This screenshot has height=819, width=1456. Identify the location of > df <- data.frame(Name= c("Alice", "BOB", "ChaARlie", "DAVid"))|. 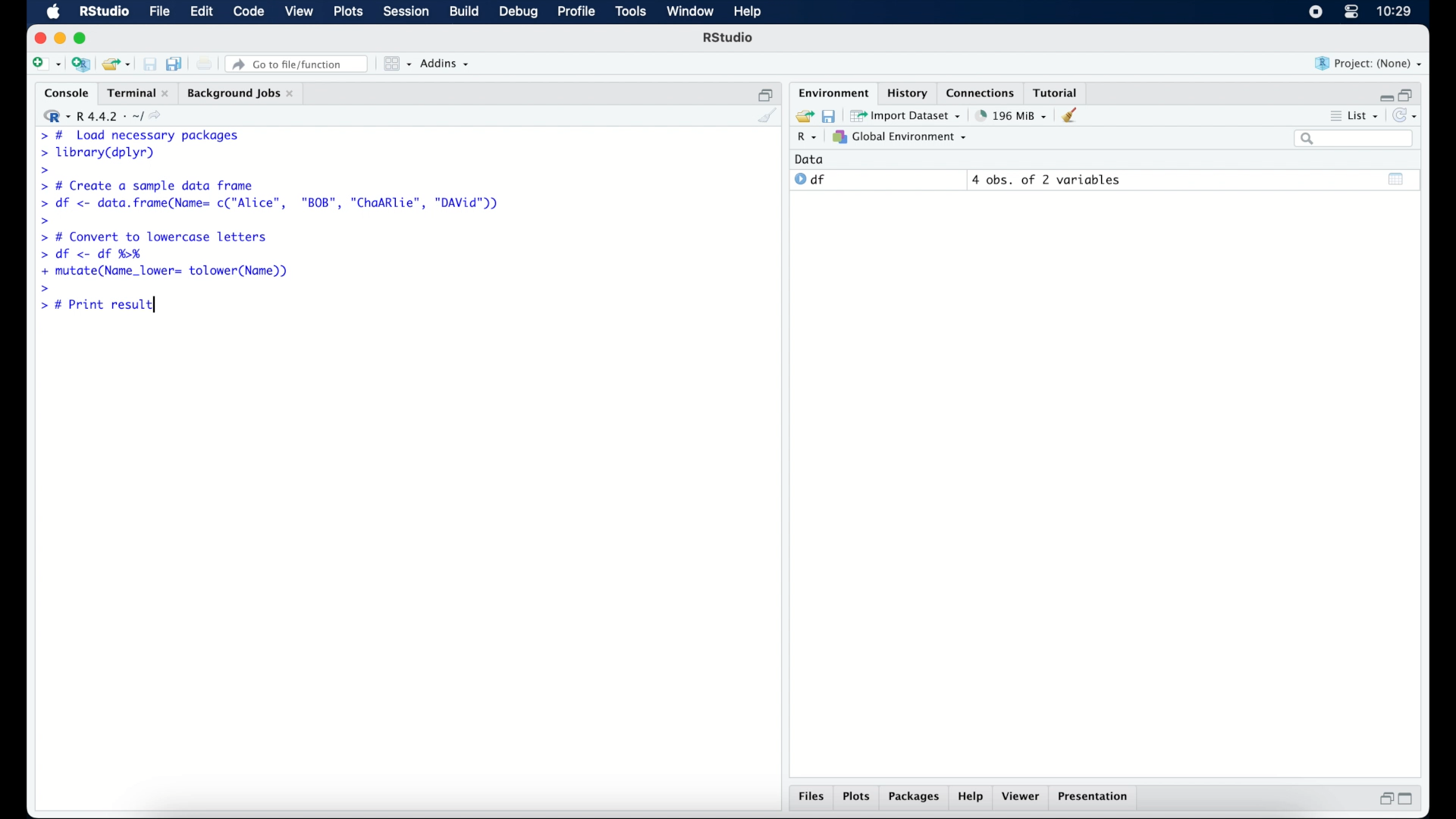
(274, 204).